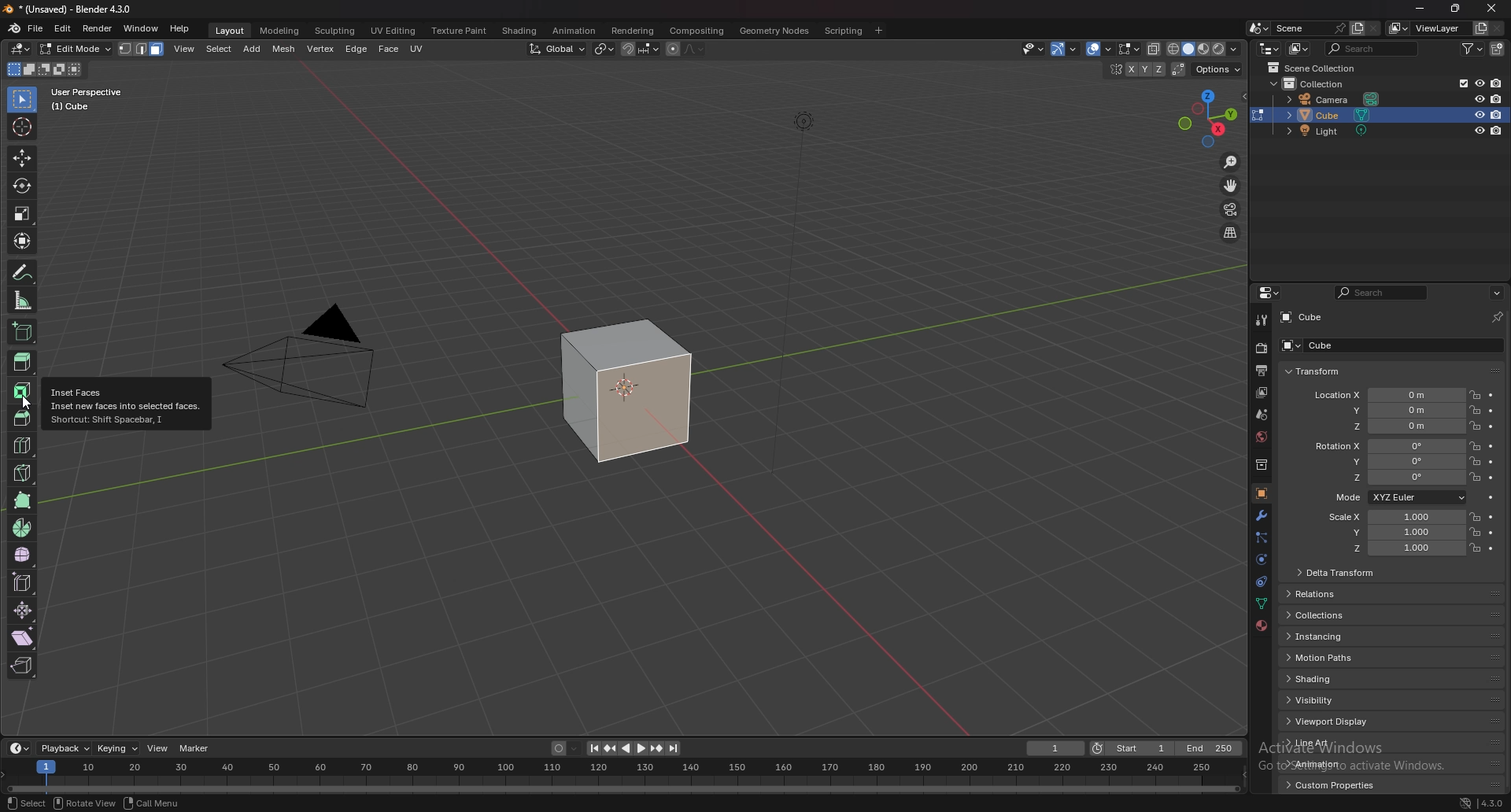  I want to click on display mode, so click(1299, 48).